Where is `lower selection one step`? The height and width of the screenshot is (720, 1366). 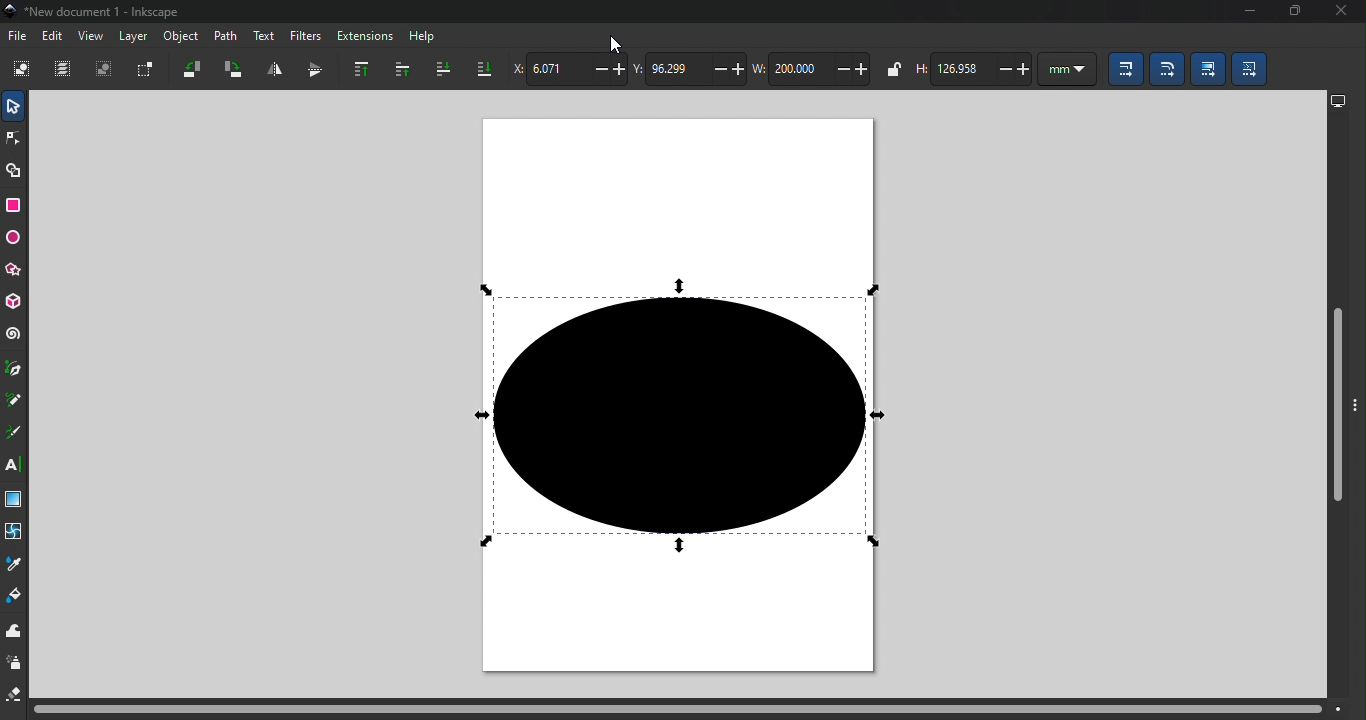
lower selection one step is located at coordinates (444, 70).